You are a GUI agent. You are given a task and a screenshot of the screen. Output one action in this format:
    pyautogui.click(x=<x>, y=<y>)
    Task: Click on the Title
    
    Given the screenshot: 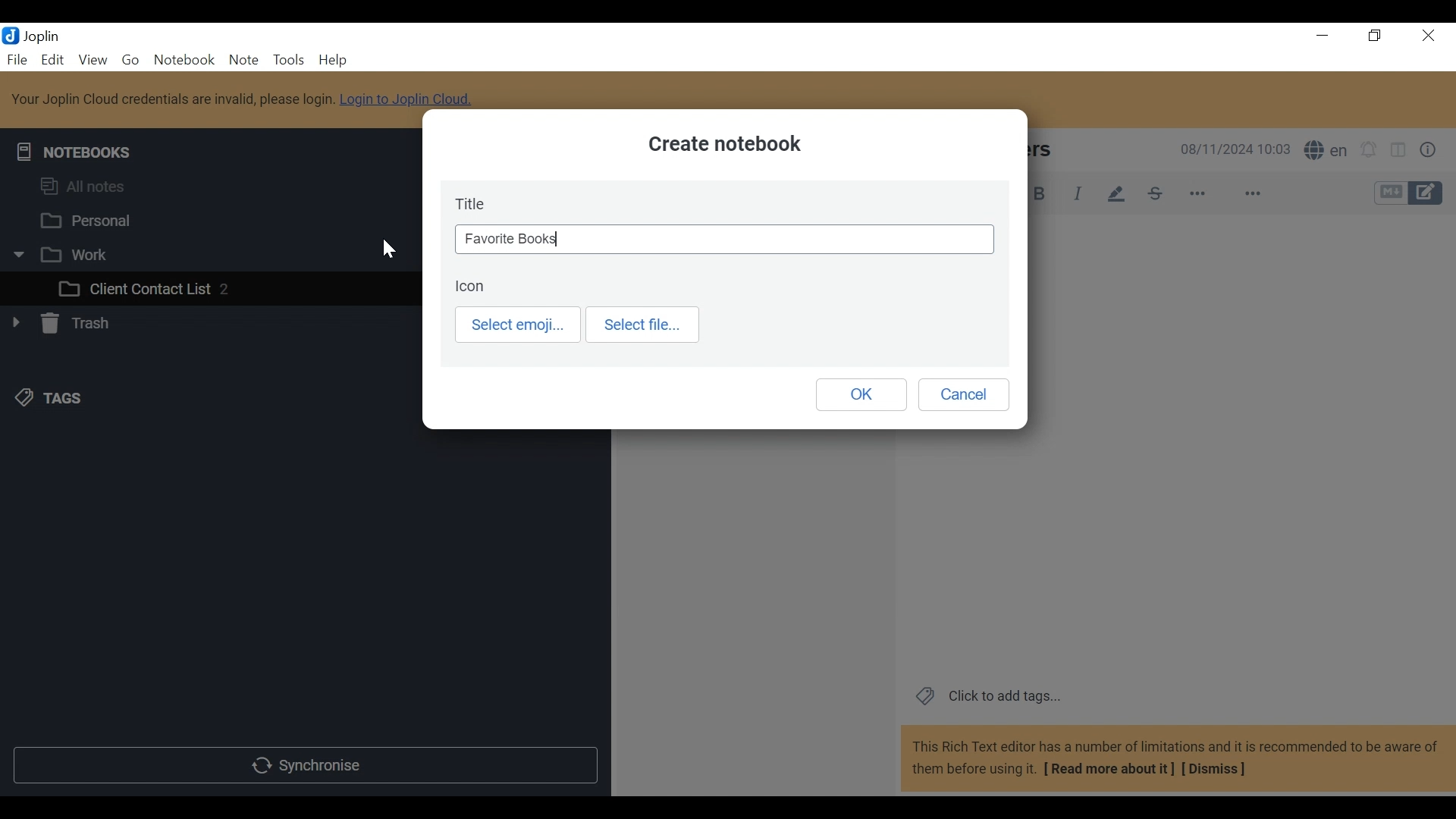 What is the action you would take?
    pyautogui.click(x=472, y=201)
    